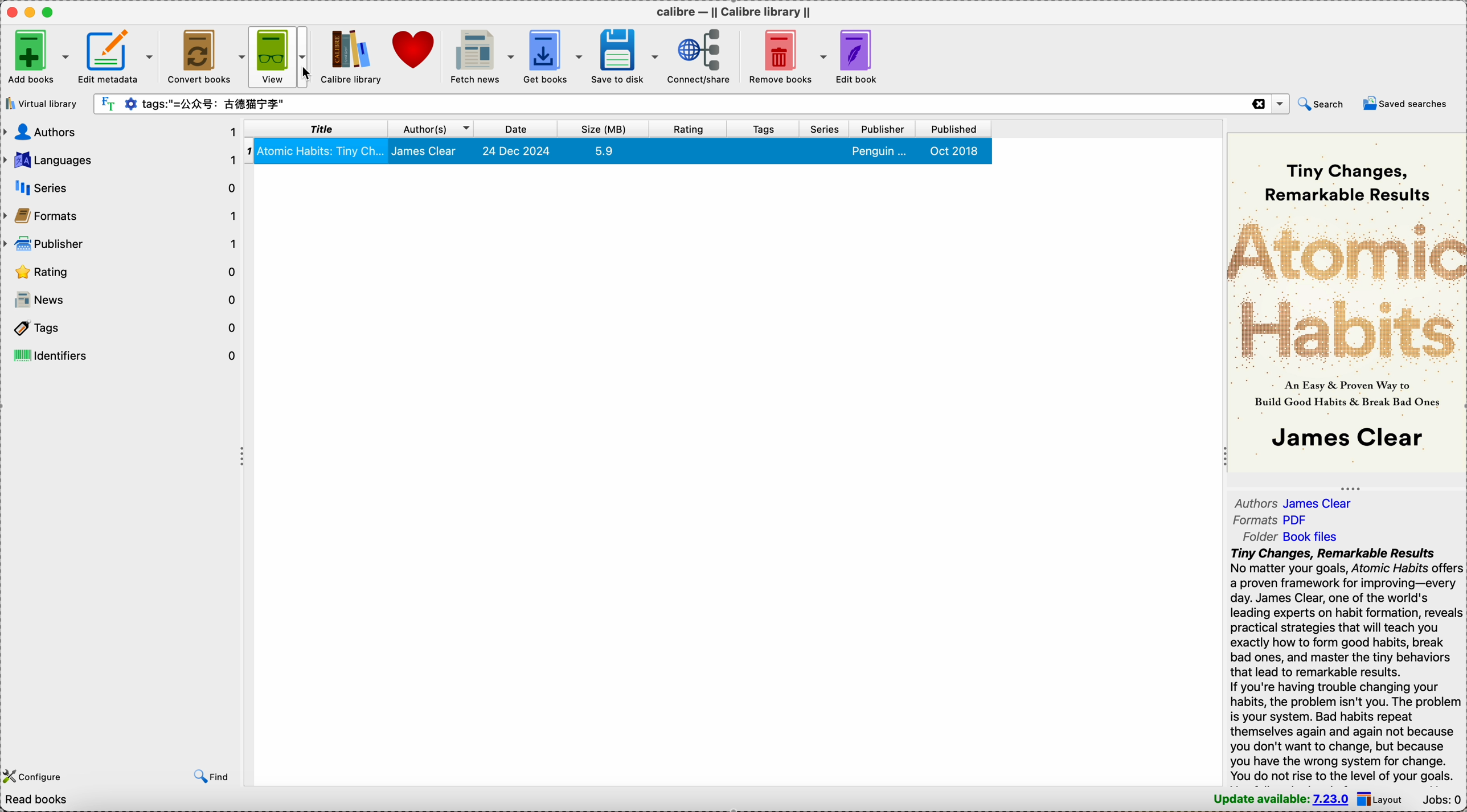 Image resolution: width=1467 pixels, height=812 pixels. I want to click on Calibre library, so click(351, 56).